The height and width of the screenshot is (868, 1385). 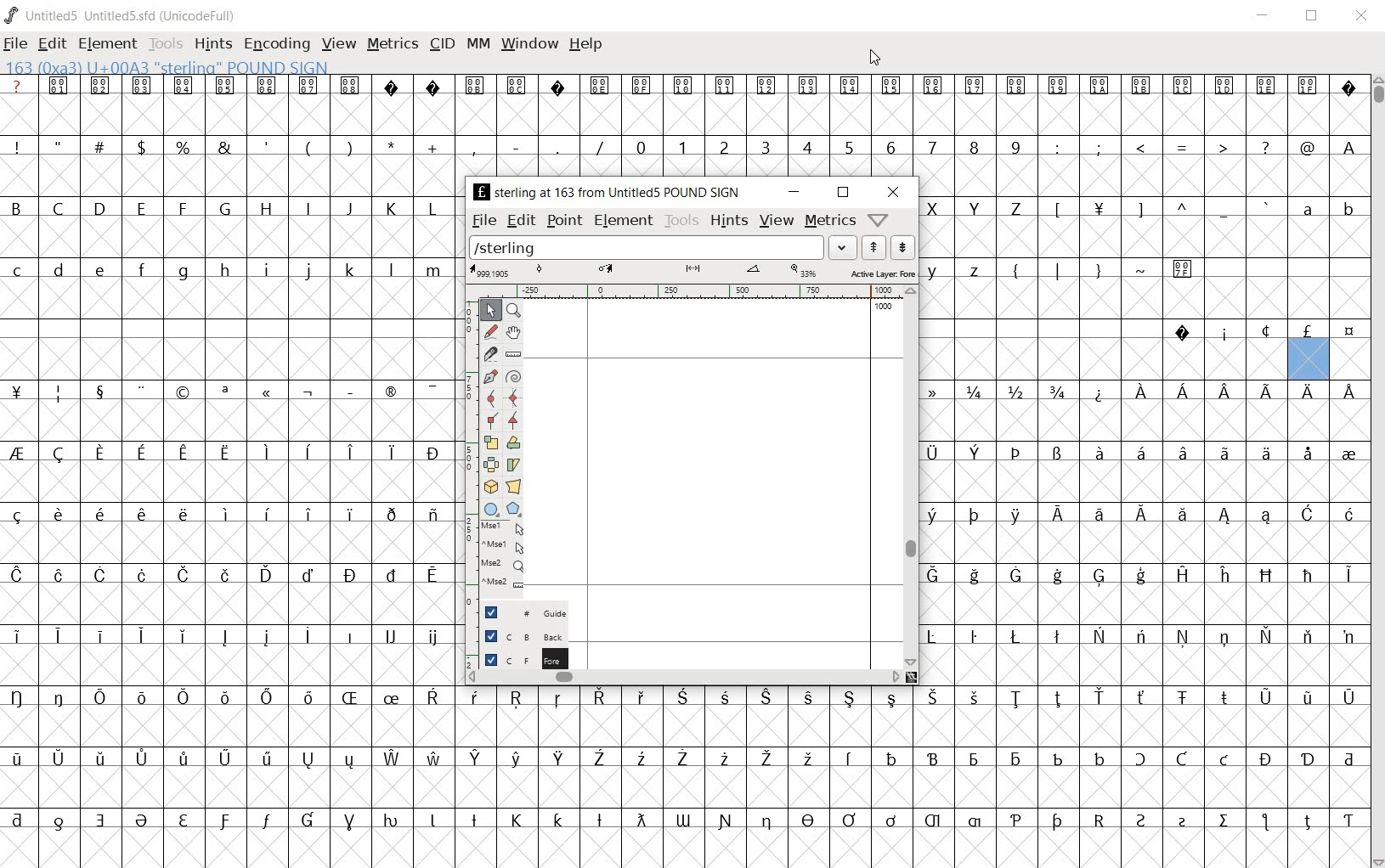 What do you see at coordinates (1265, 454) in the screenshot?
I see `Symbol` at bounding box center [1265, 454].